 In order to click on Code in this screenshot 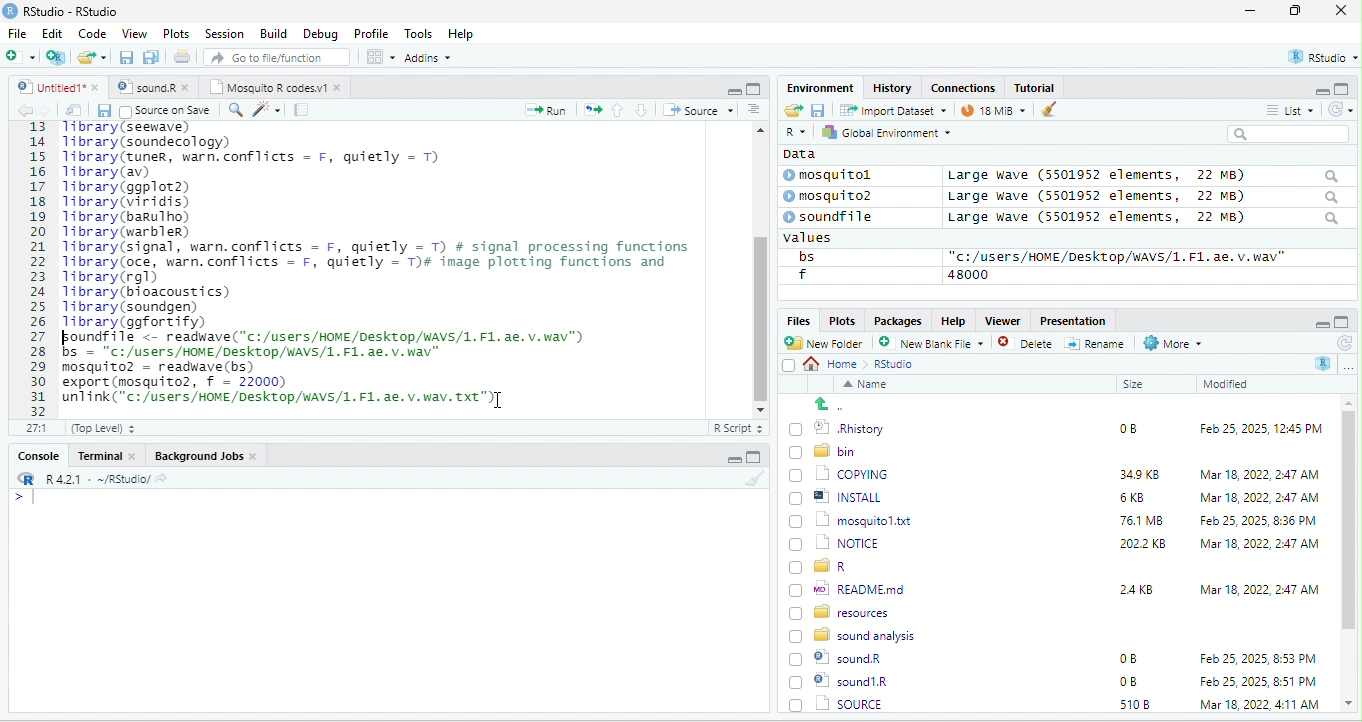, I will do `click(93, 33)`.